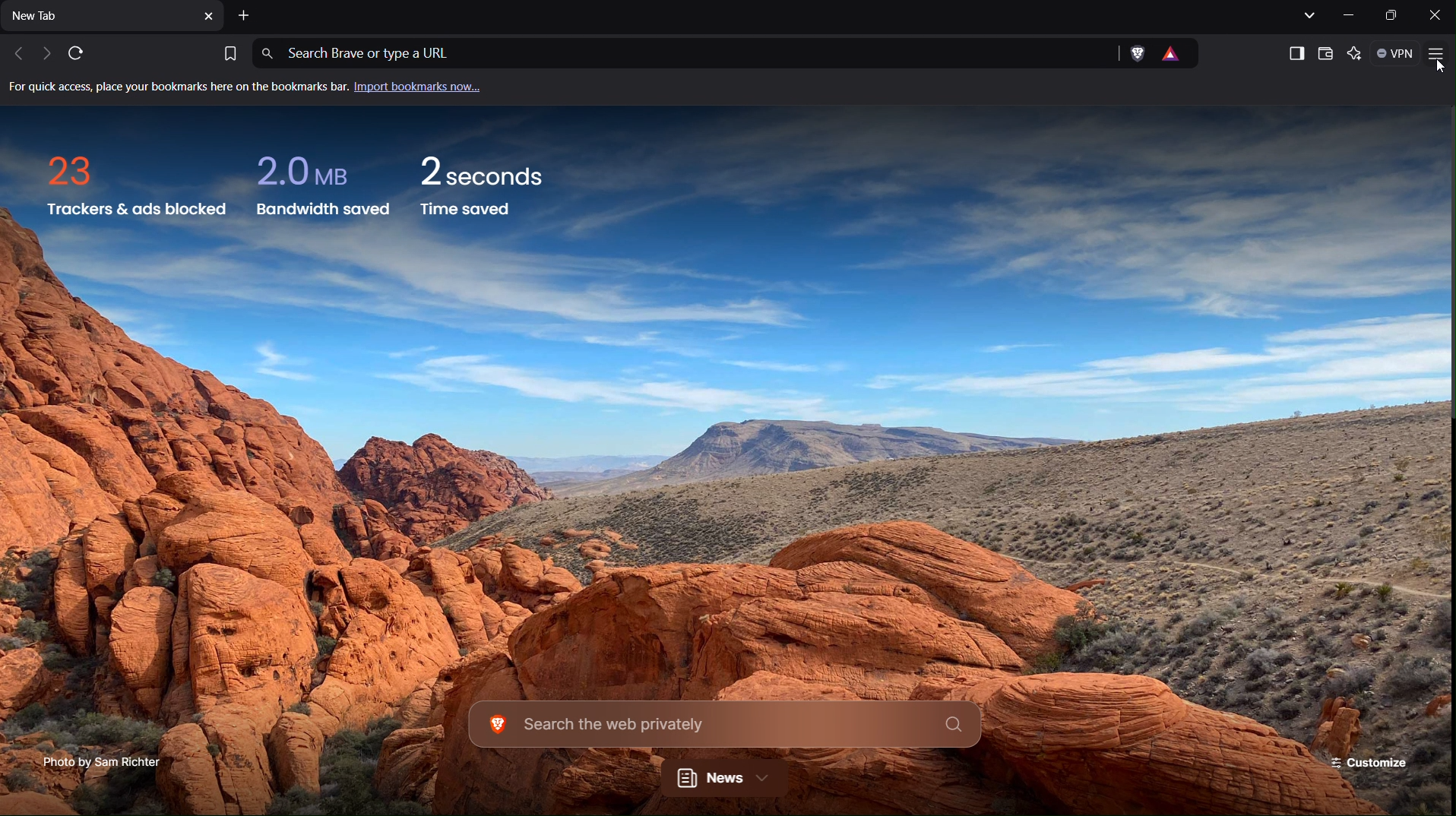 Image resolution: width=1456 pixels, height=816 pixels. What do you see at coordinates (1345, 15) in the screenshot?
I see `Minimize` at bounding box center [1345, 15].